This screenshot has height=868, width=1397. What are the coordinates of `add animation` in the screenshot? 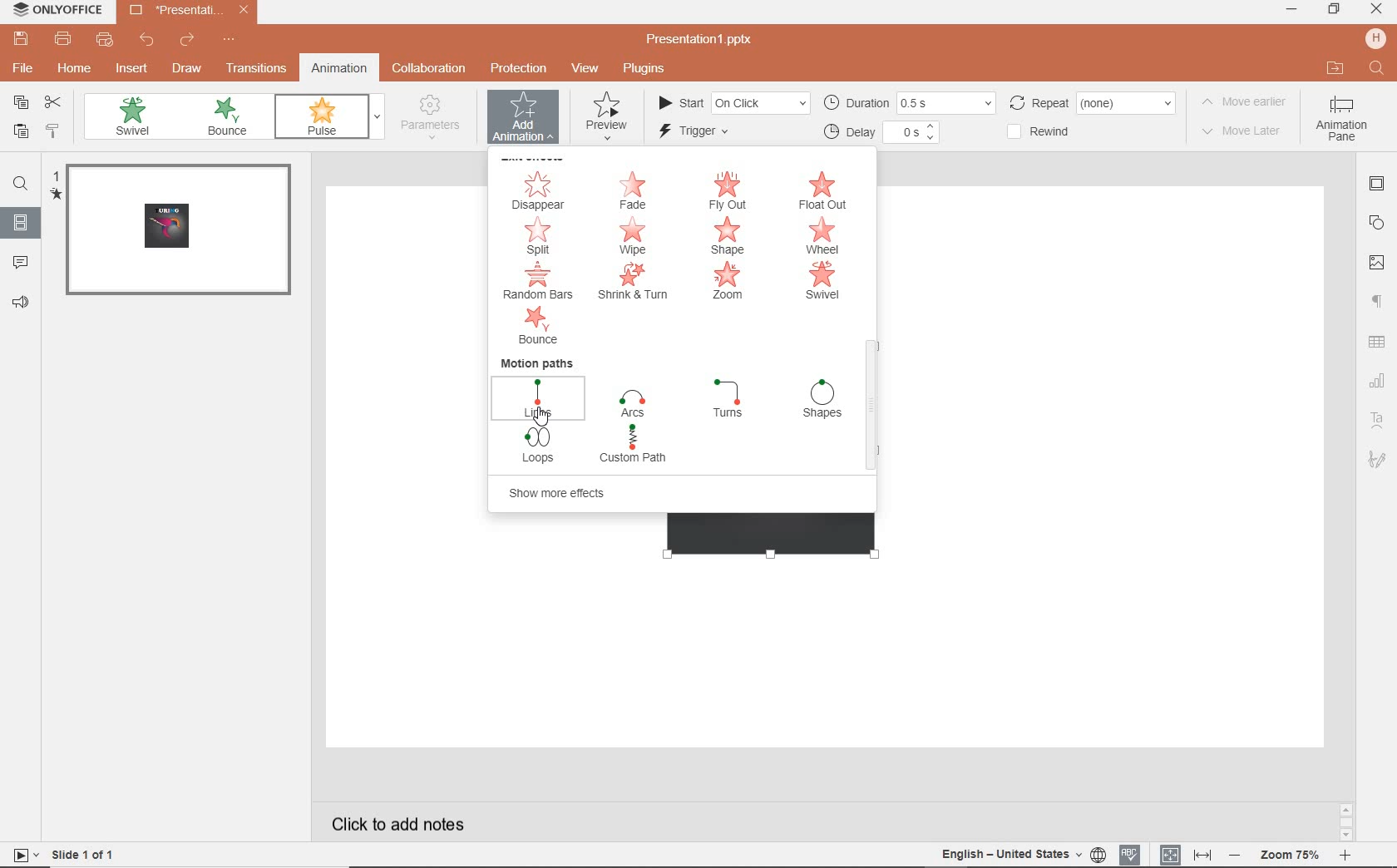 It's located at (526, 119).